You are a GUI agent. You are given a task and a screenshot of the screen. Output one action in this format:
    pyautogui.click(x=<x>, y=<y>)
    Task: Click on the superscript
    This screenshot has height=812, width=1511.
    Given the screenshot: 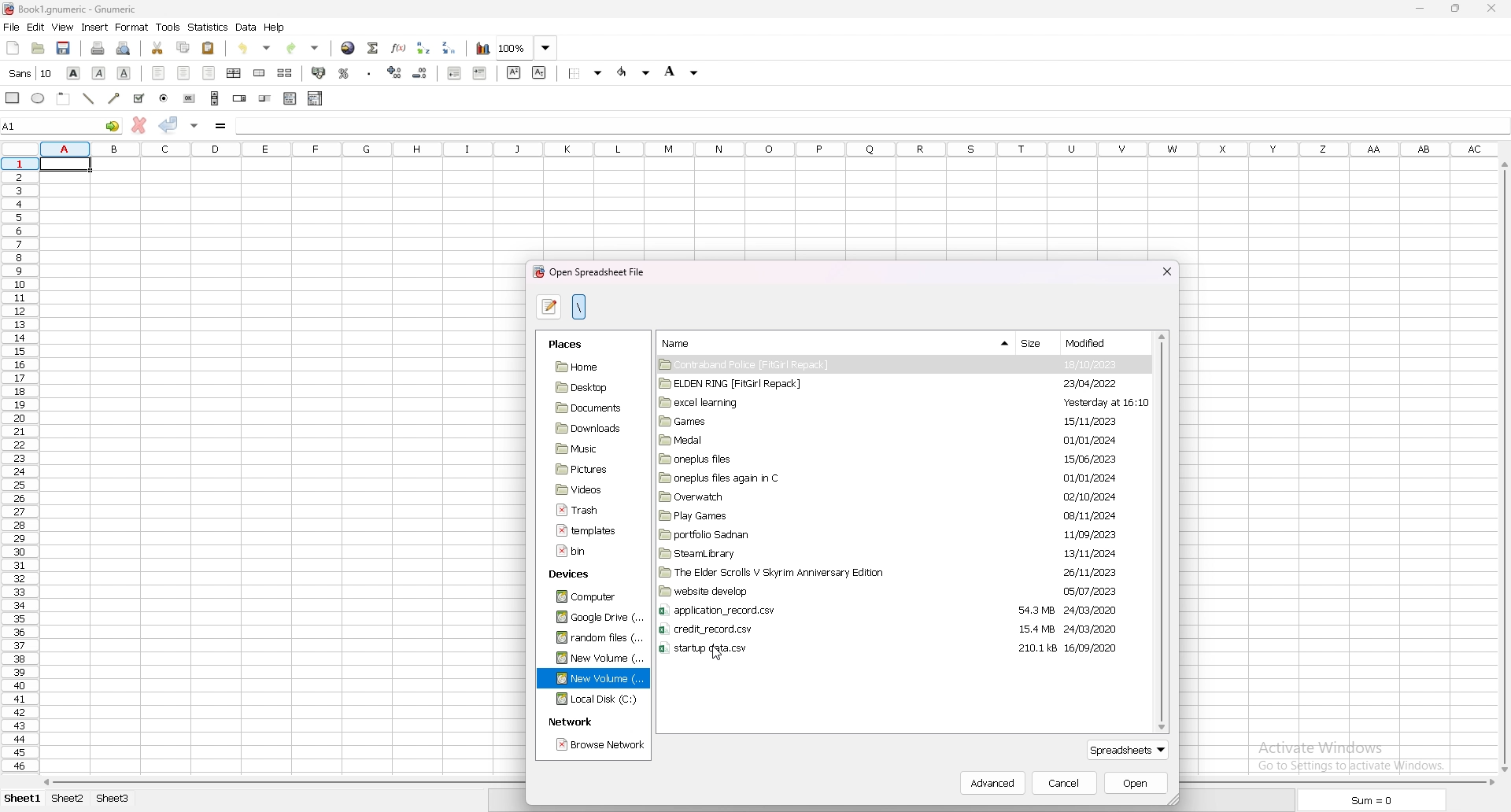 What is the action you would take?
    pyautogui.click(x=514, y=72)
    